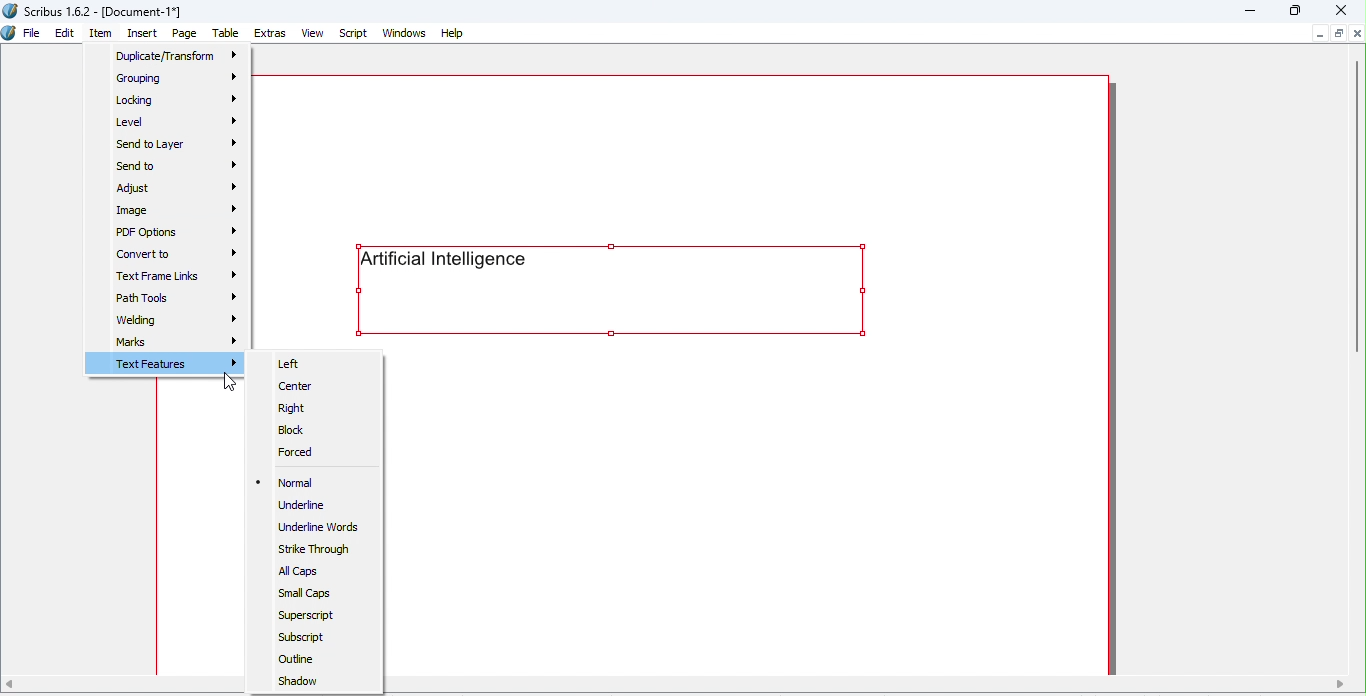  I want to click on Adjust, so click(179, 188).